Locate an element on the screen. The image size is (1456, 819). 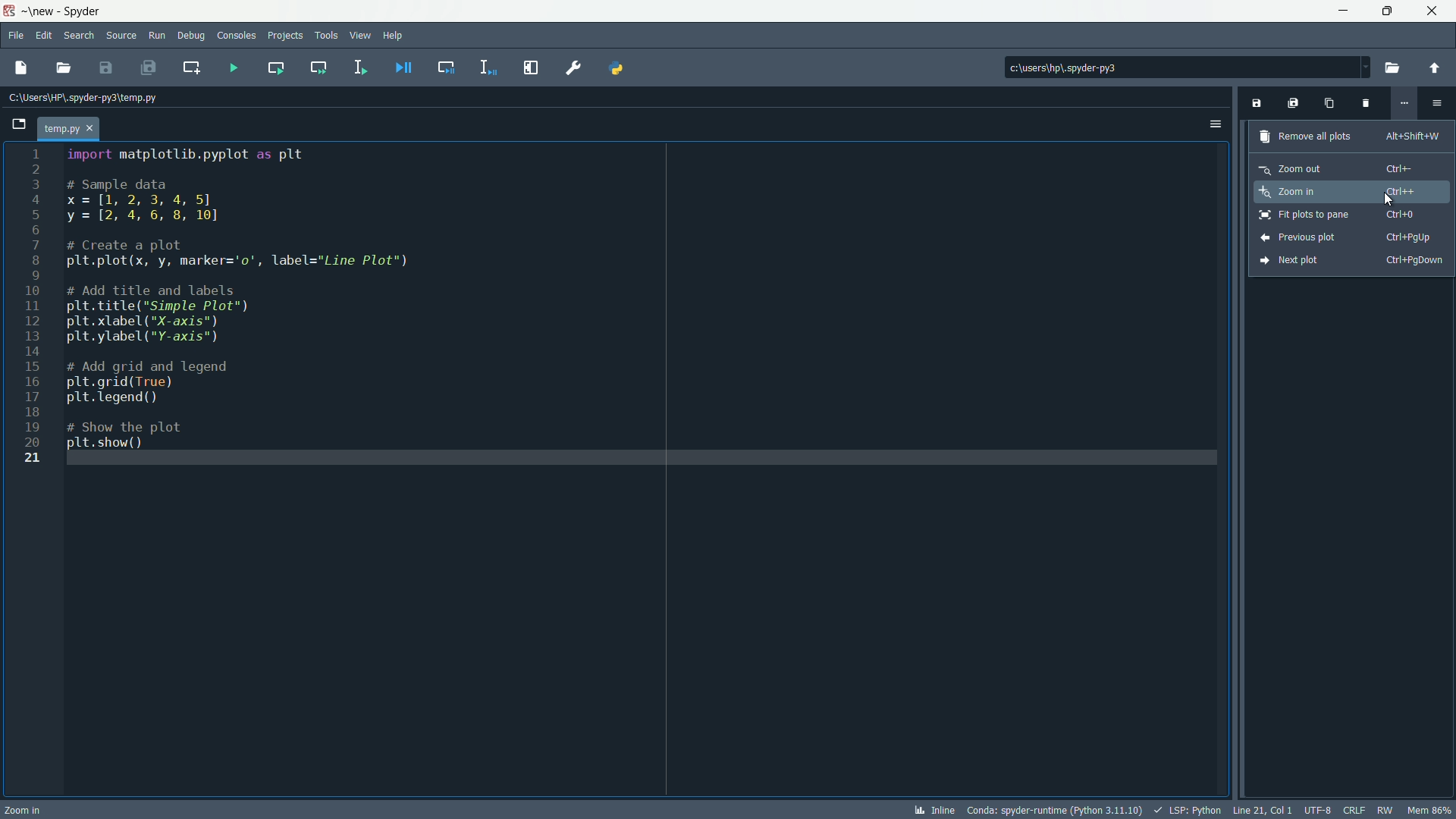
app name is located at coordinates (84, 10).